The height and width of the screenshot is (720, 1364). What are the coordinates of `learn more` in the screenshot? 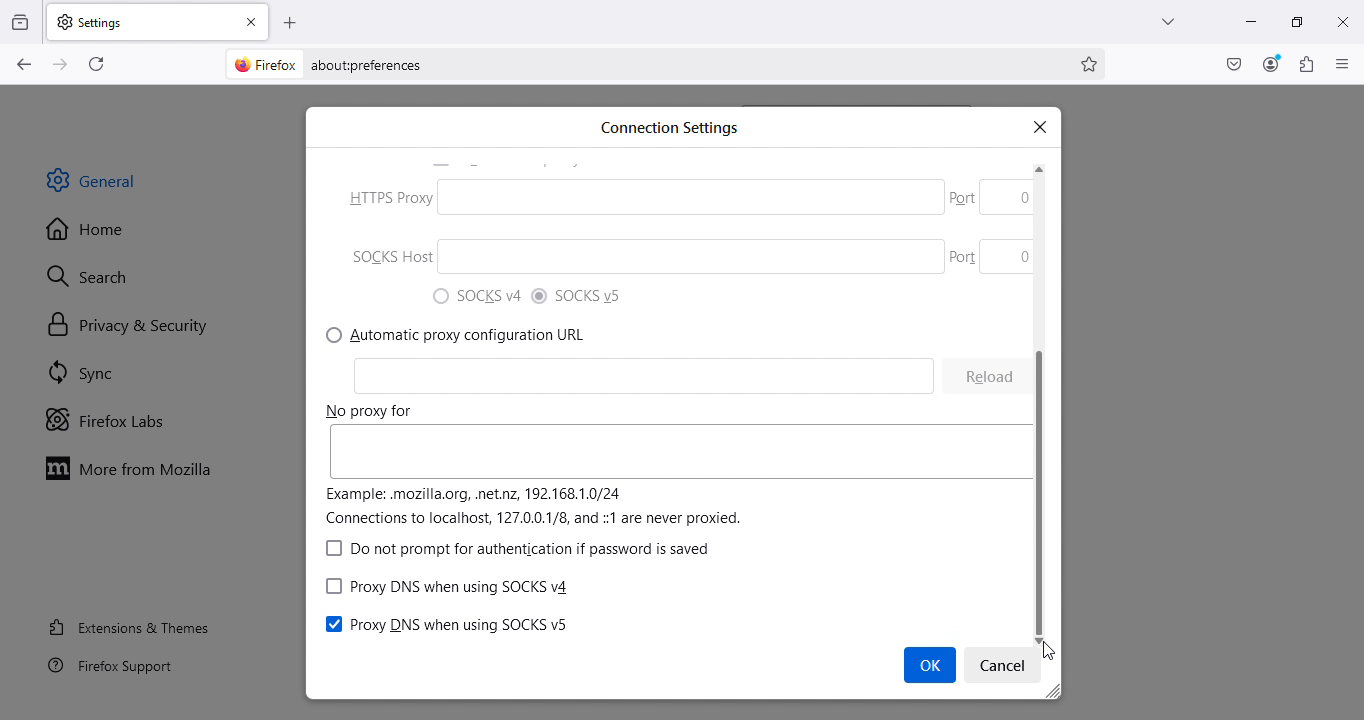 It's located at (546, 521).